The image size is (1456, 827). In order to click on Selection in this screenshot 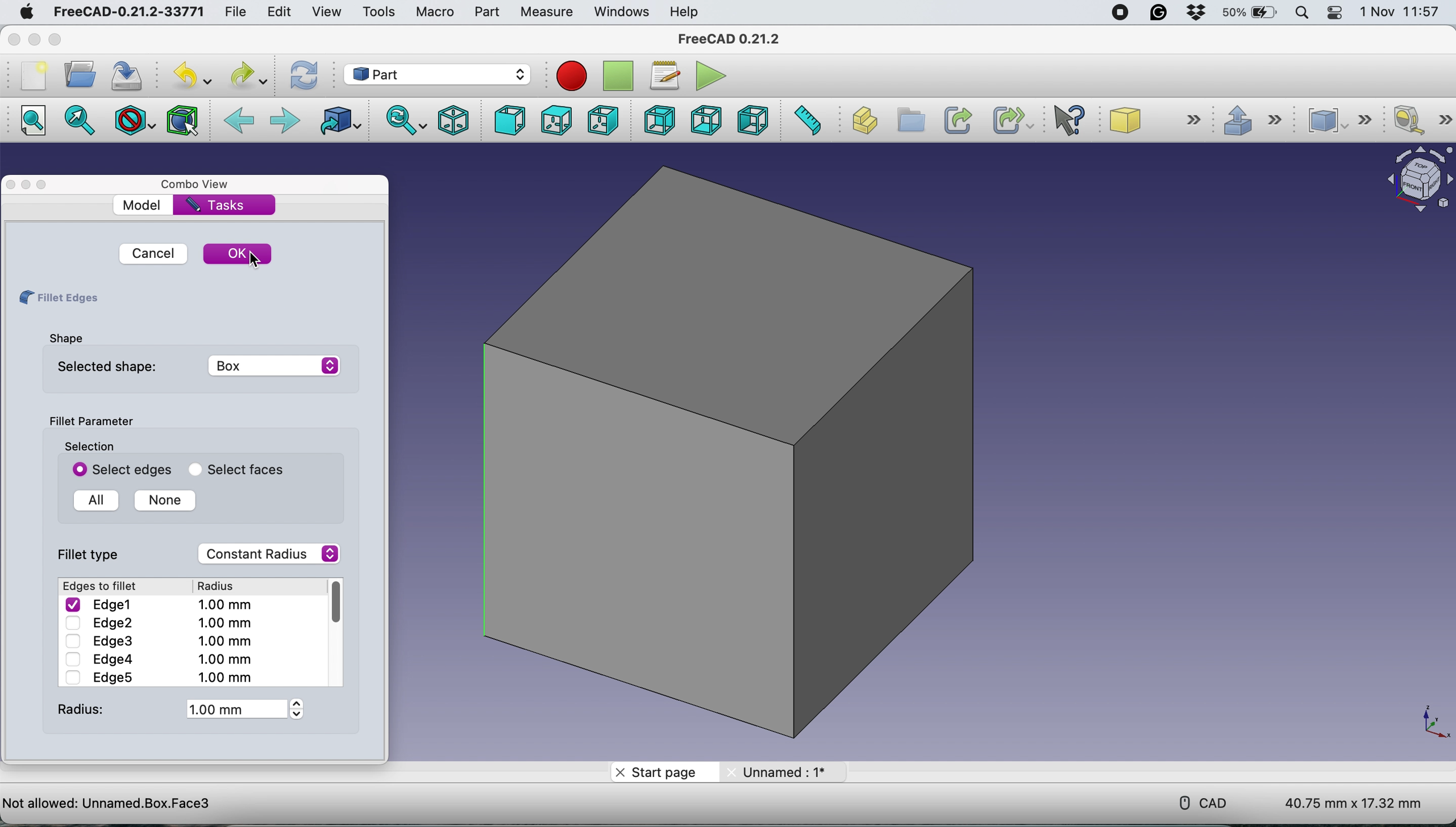, I will do `click(89, 446)`.